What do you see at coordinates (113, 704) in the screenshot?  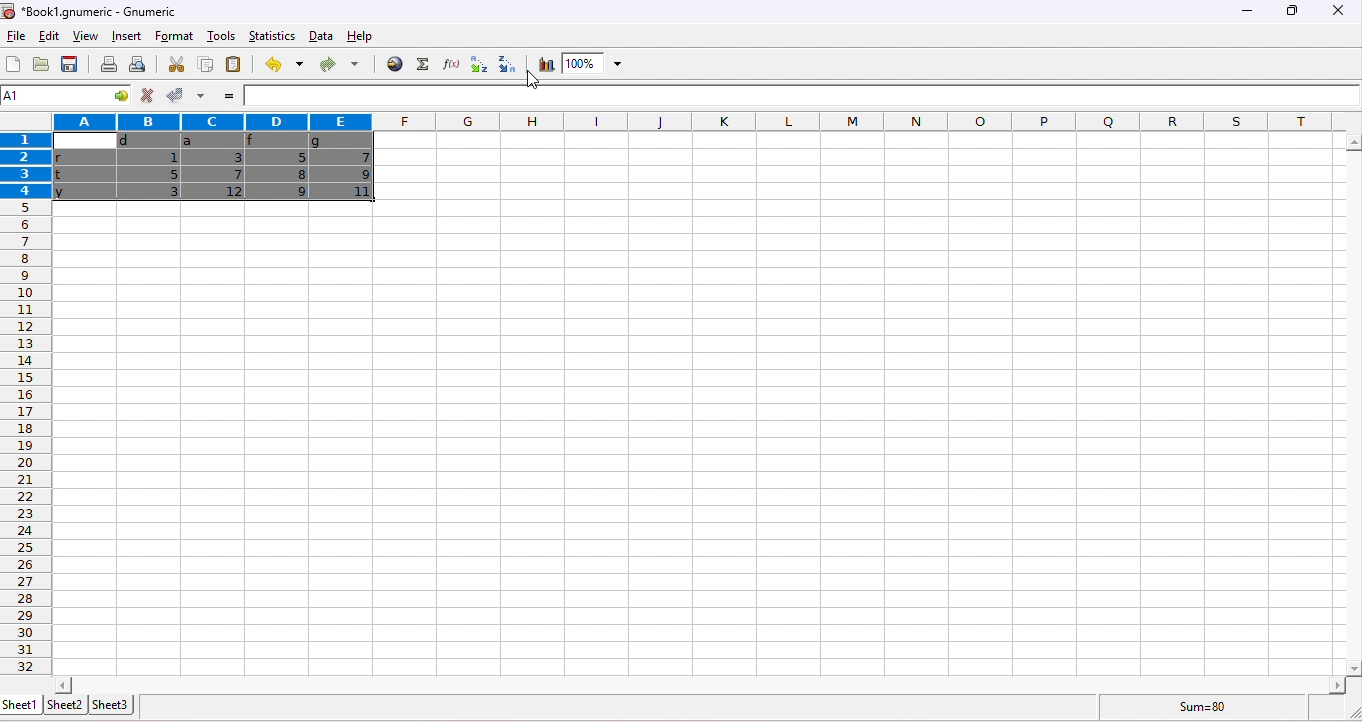 I see `sheet3` at bounding box center [113, 704].